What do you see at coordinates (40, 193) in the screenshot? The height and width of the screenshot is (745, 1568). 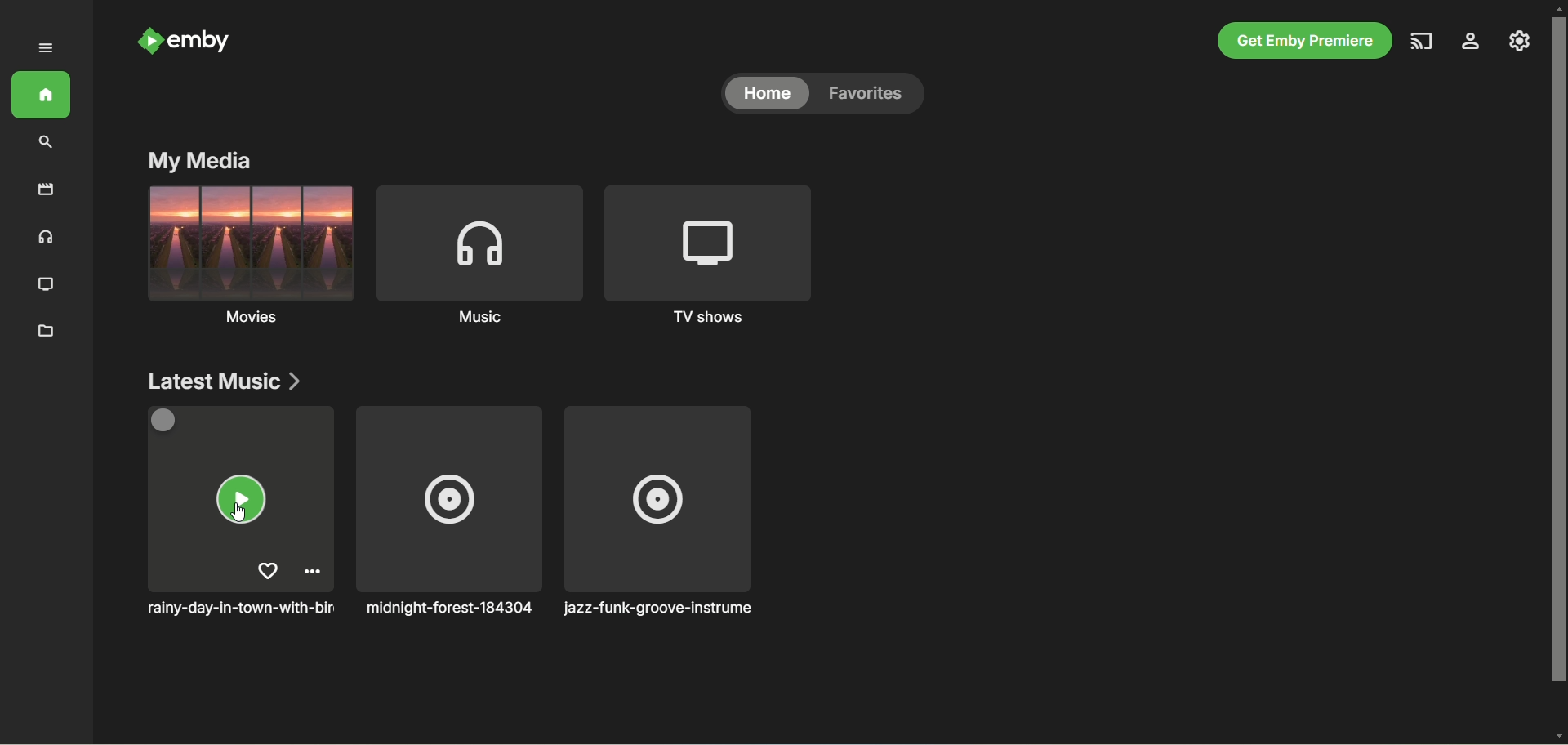 I see `movies` at bounding box center [40, 193].